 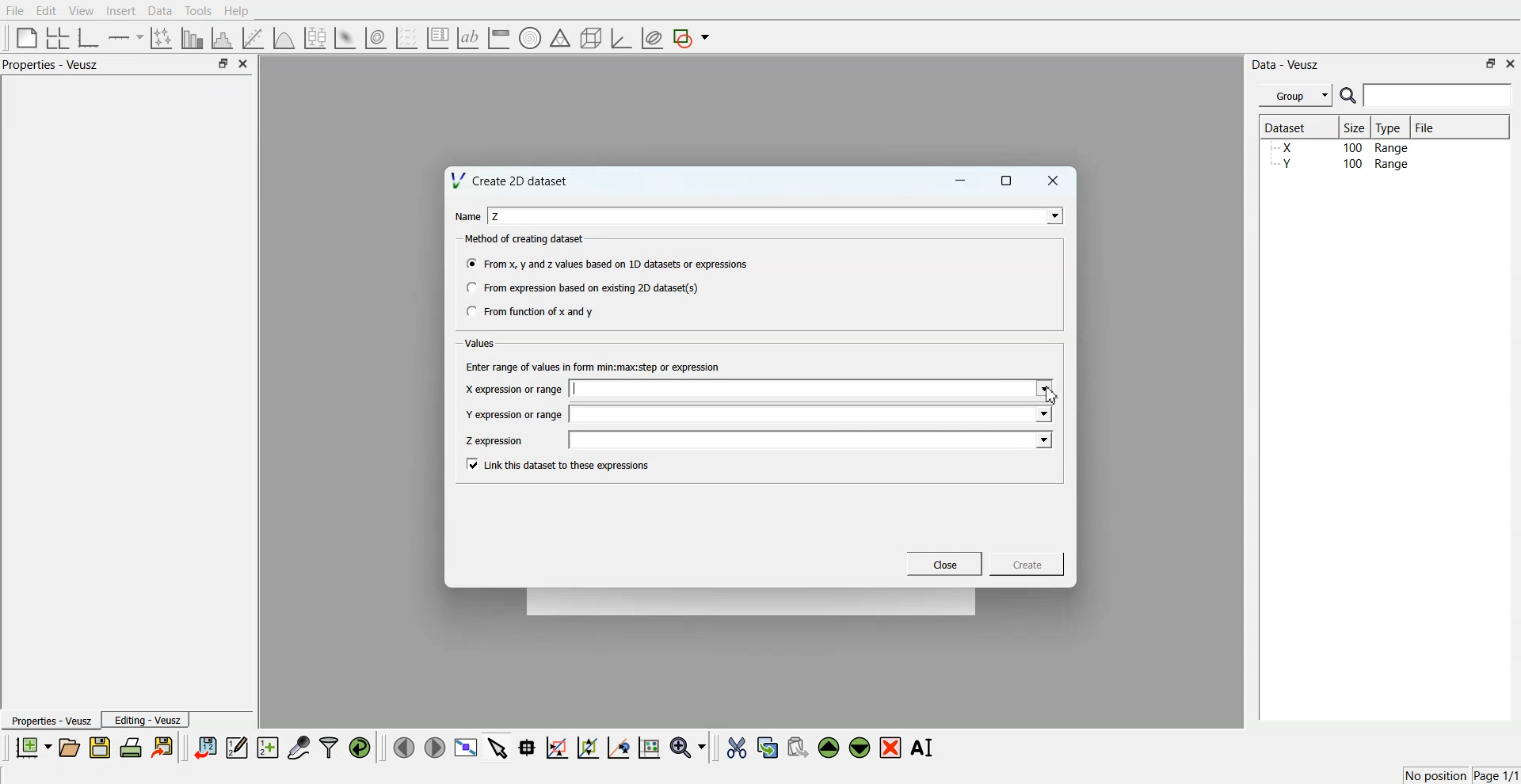 What do you see at coordinates (608, 262) in the screenshot?
I see `|  (& Fromx, y and z values based on 1D datasets or expressions` at bounding box center [608, 262].